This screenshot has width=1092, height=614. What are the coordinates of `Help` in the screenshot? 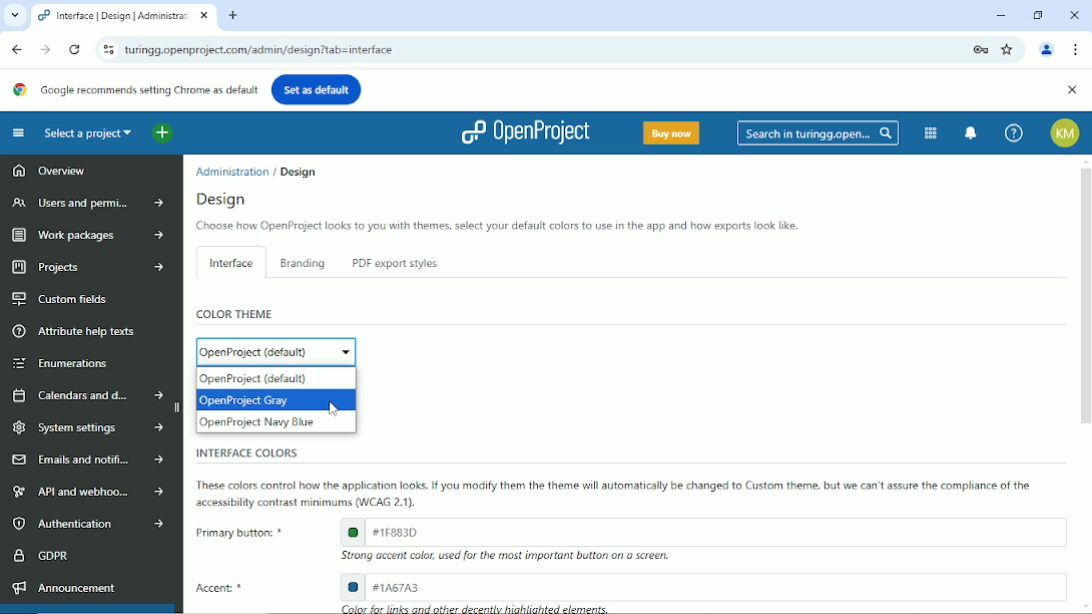 It's located at (1013, 133).